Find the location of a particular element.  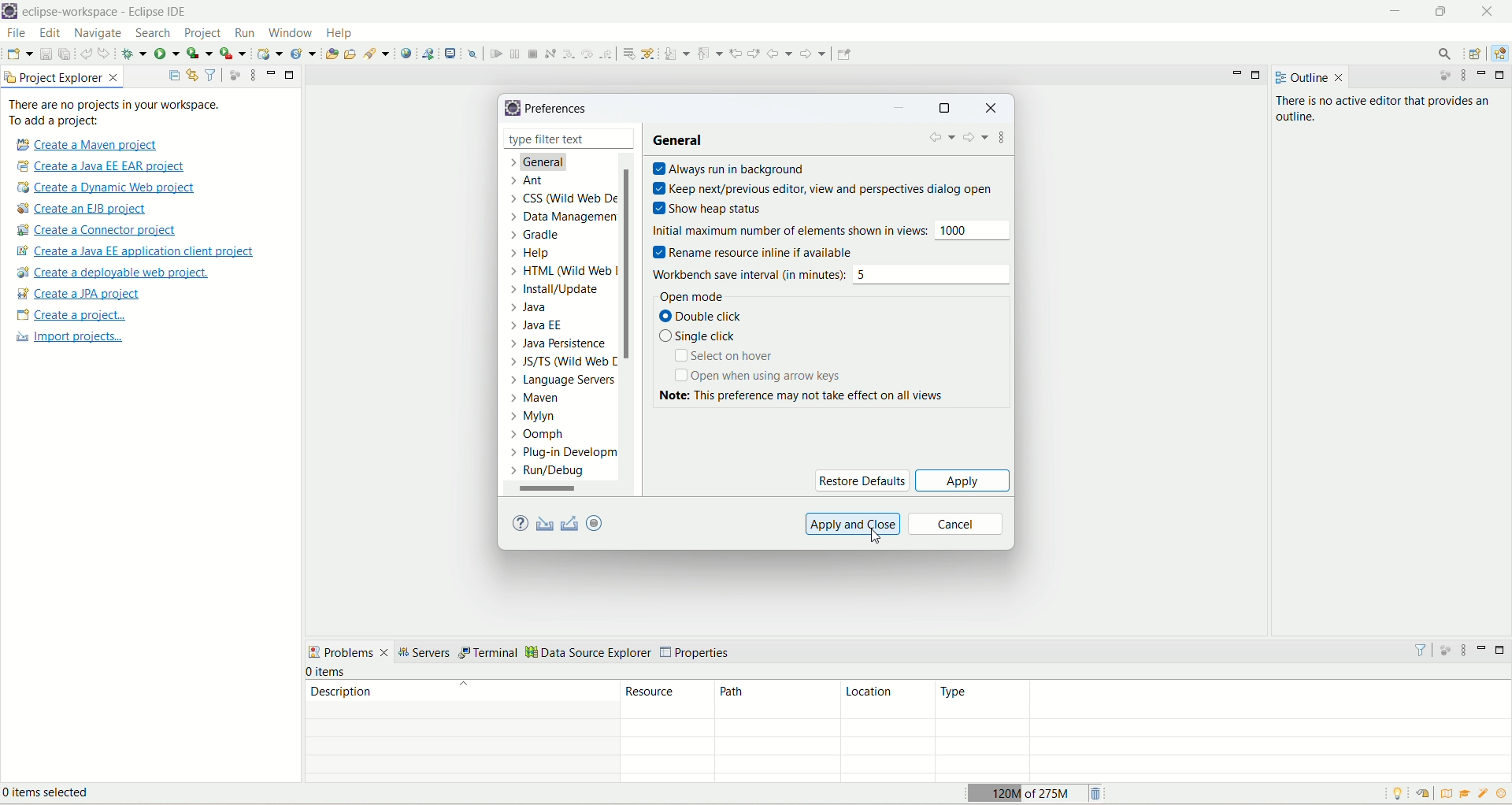

oomph preference recorder is located at coordinates (594, 523).